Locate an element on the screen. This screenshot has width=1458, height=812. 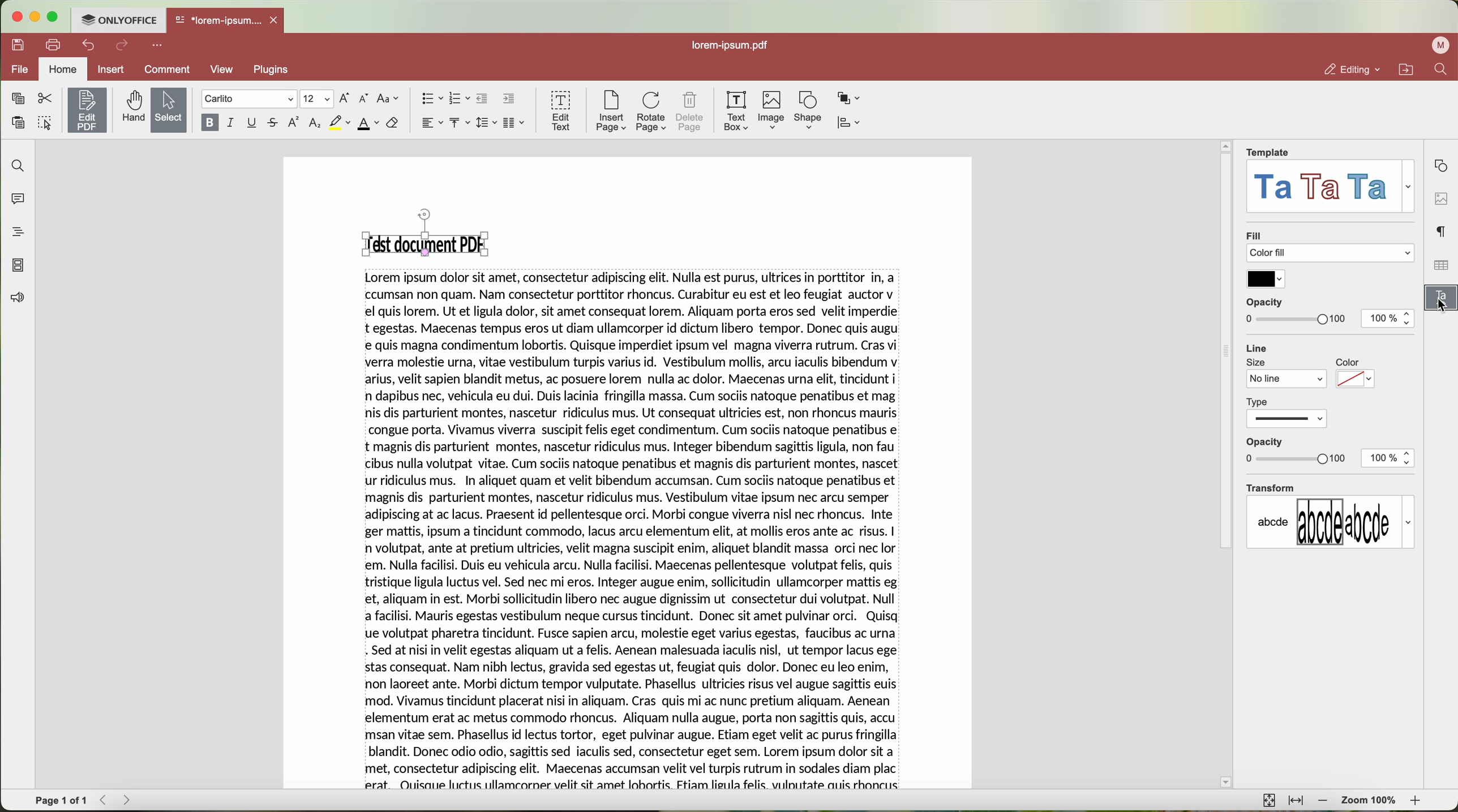
clear style is located at coordinates (393, 124).